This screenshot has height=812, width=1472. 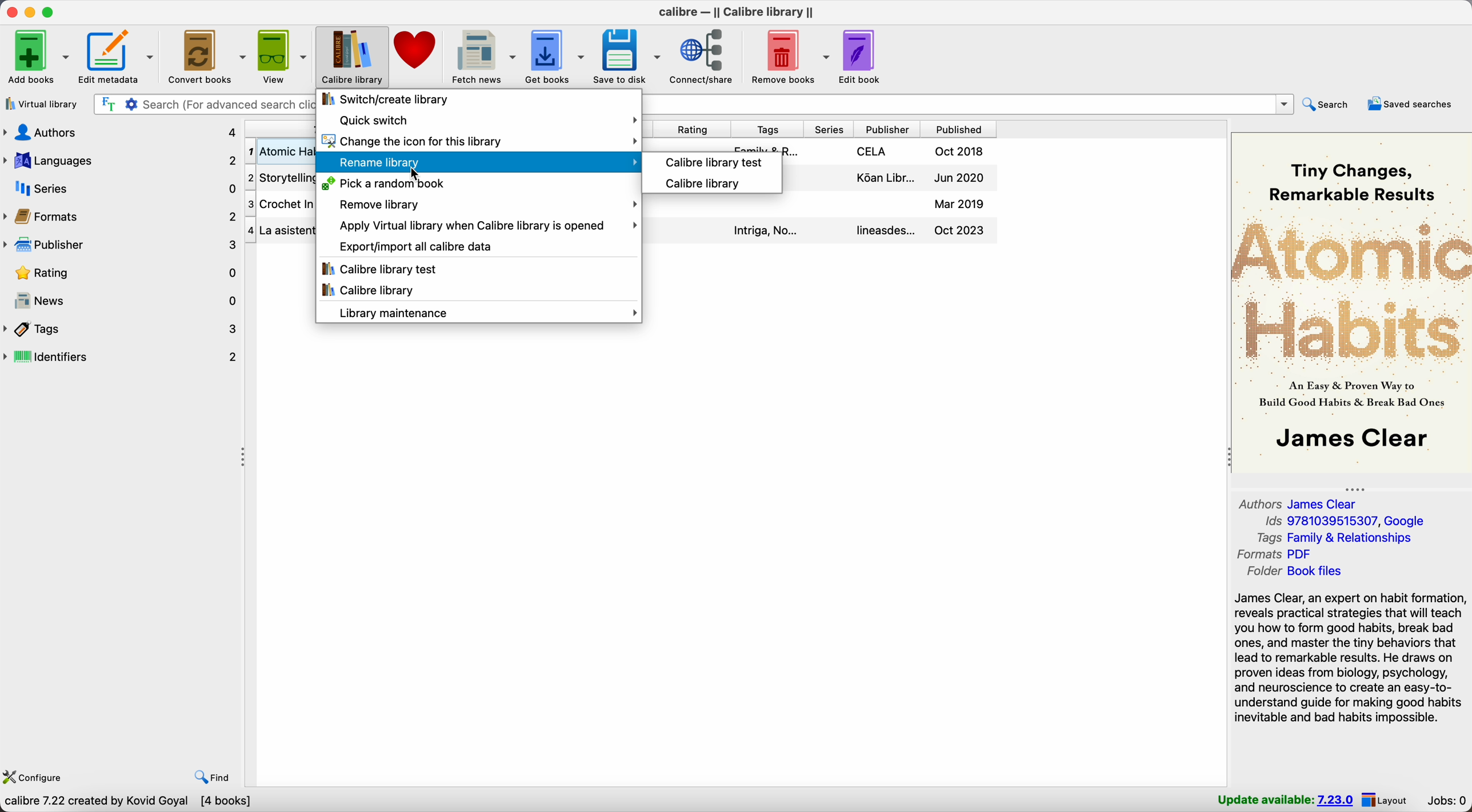 I want to click on Crochet In & Out details book, so click(x=821, y=206).